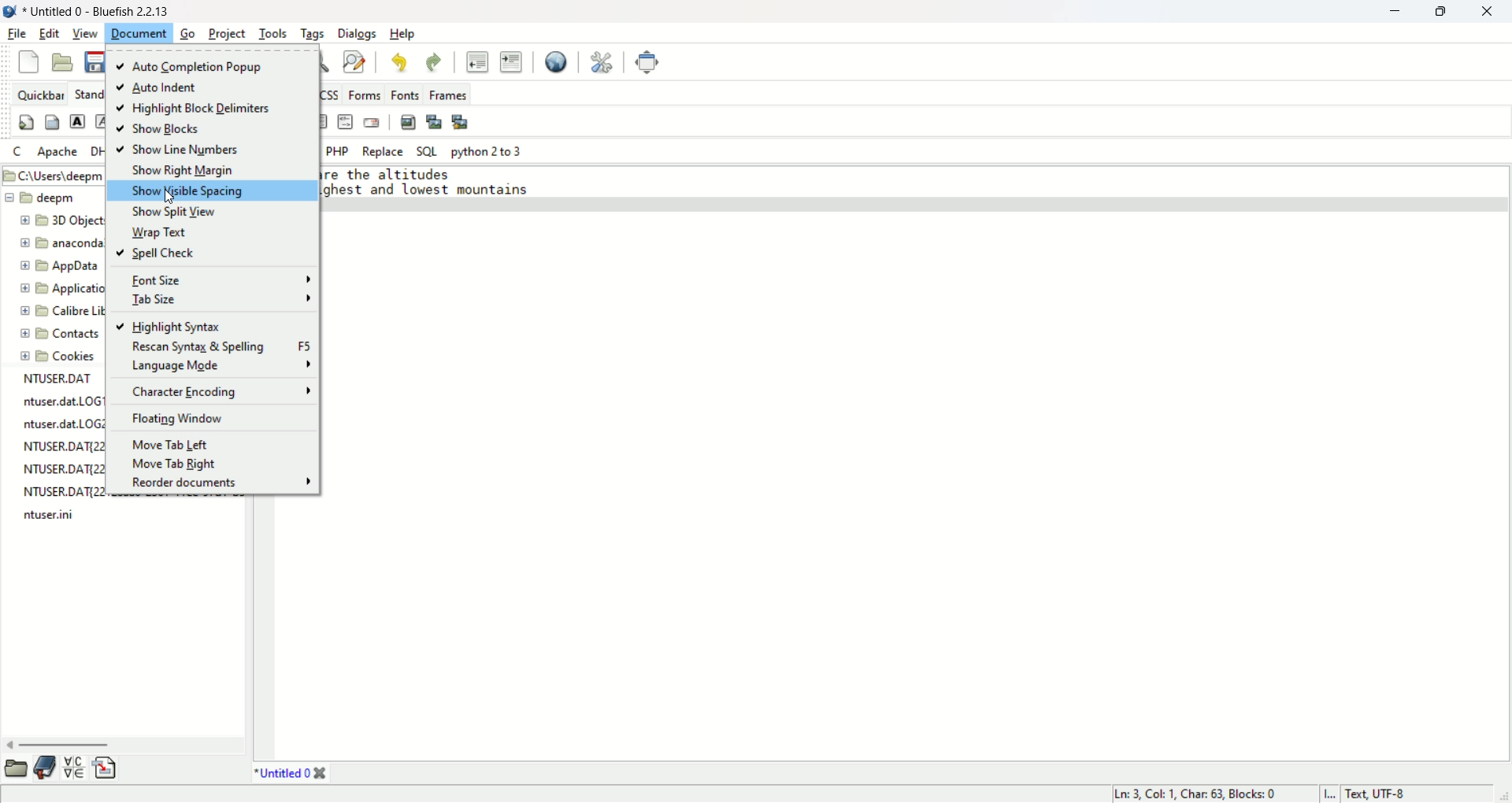 This screenshot has width=1512, height=803. Describe the element at coordinates (158, 253) in the screenshot. I see `spell check` at that location.